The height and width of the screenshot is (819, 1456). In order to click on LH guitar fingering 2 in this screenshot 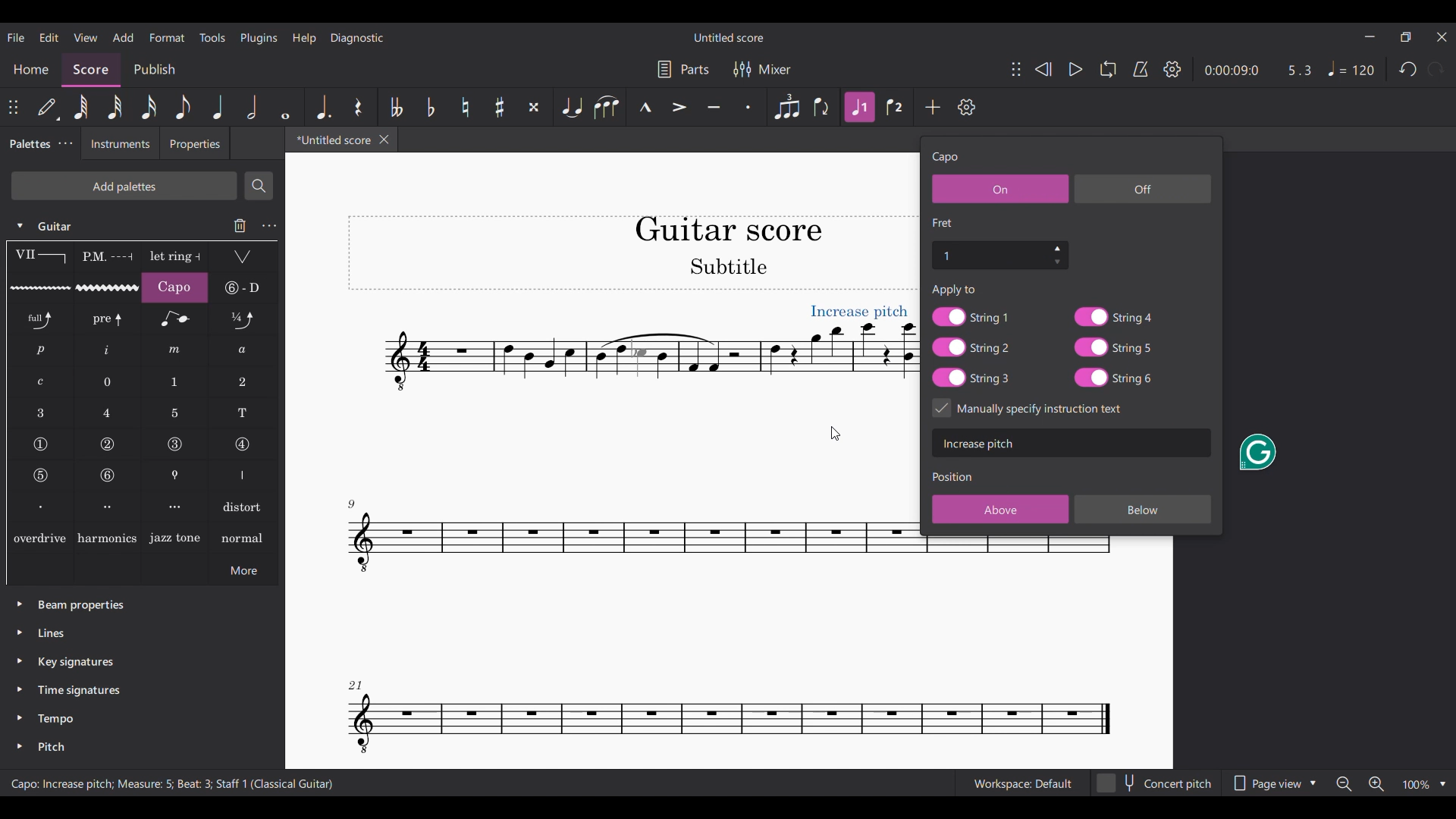, I will do `click(243, 382)`.